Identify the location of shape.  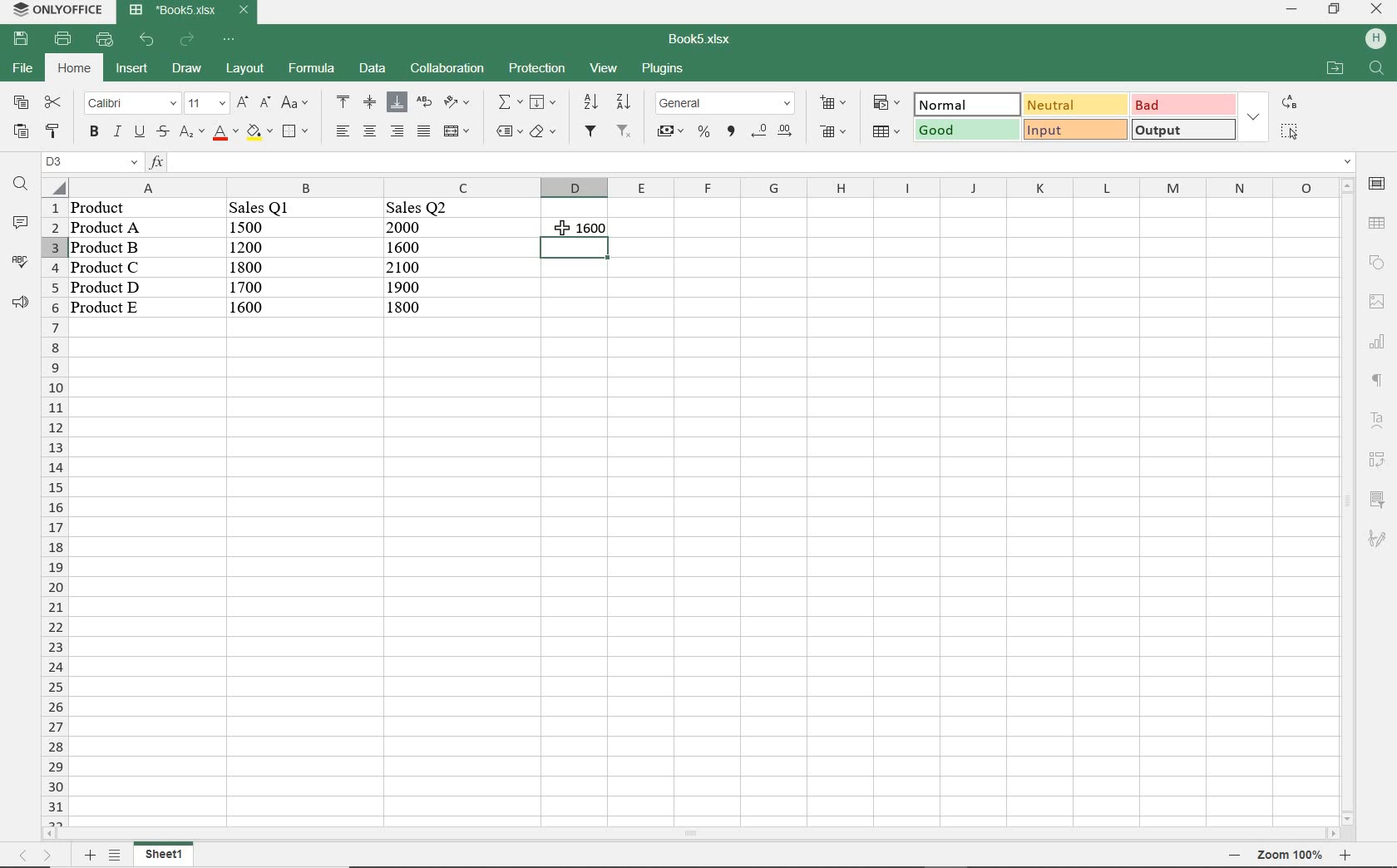
(1379, 259).